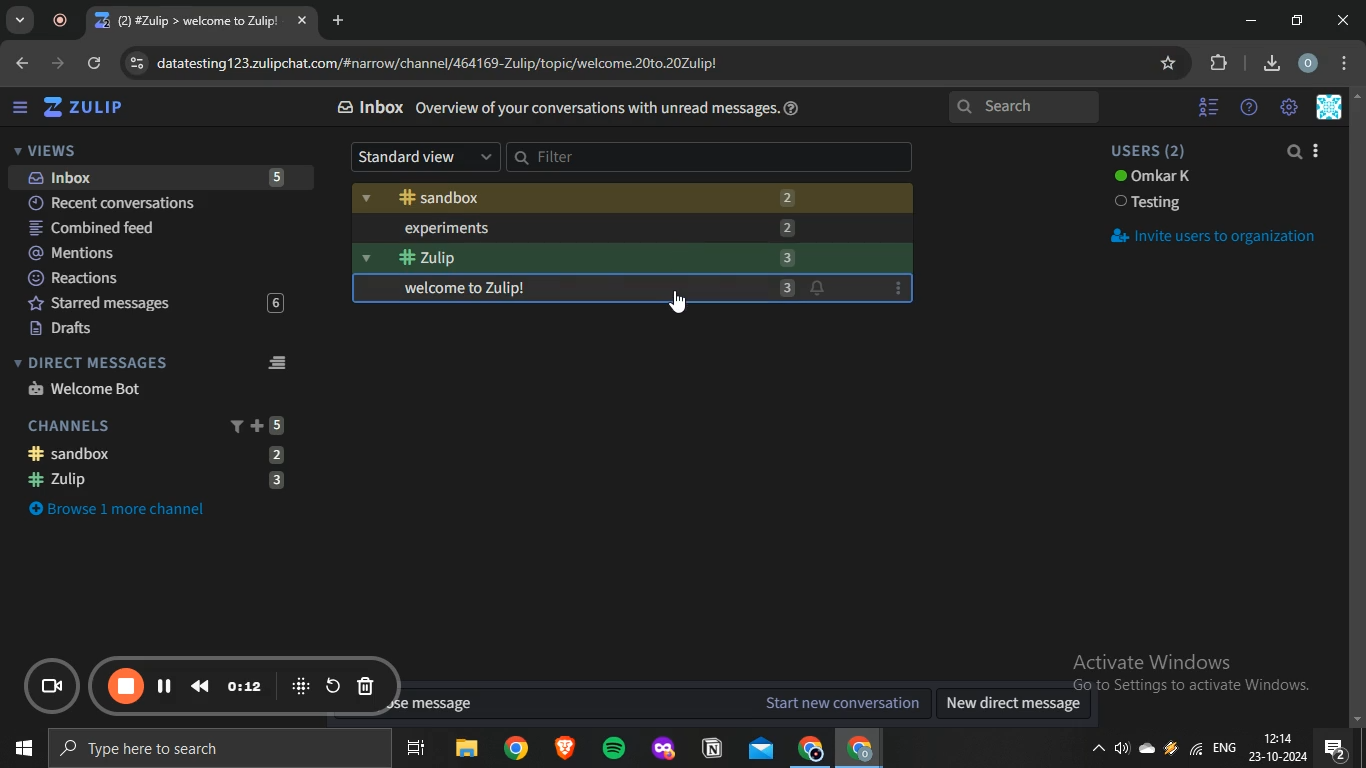  I want to click on pause recording, so click(127, 687).